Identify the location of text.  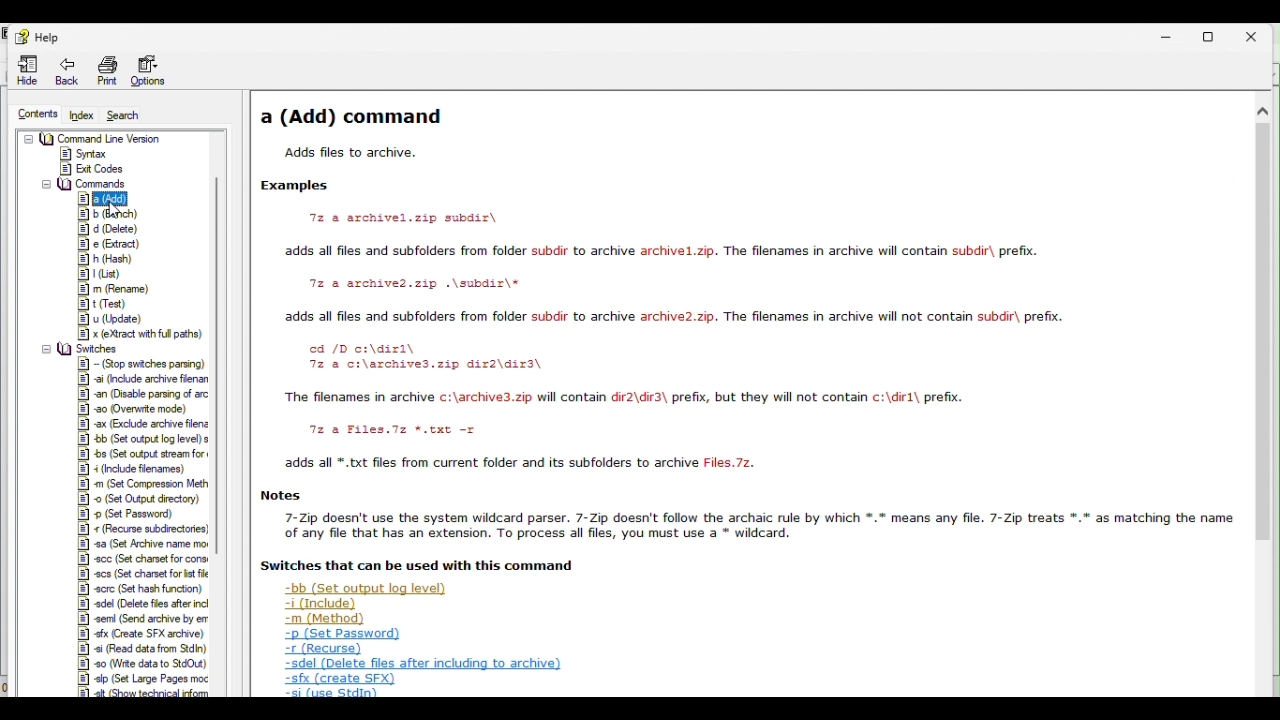
(400, 282).